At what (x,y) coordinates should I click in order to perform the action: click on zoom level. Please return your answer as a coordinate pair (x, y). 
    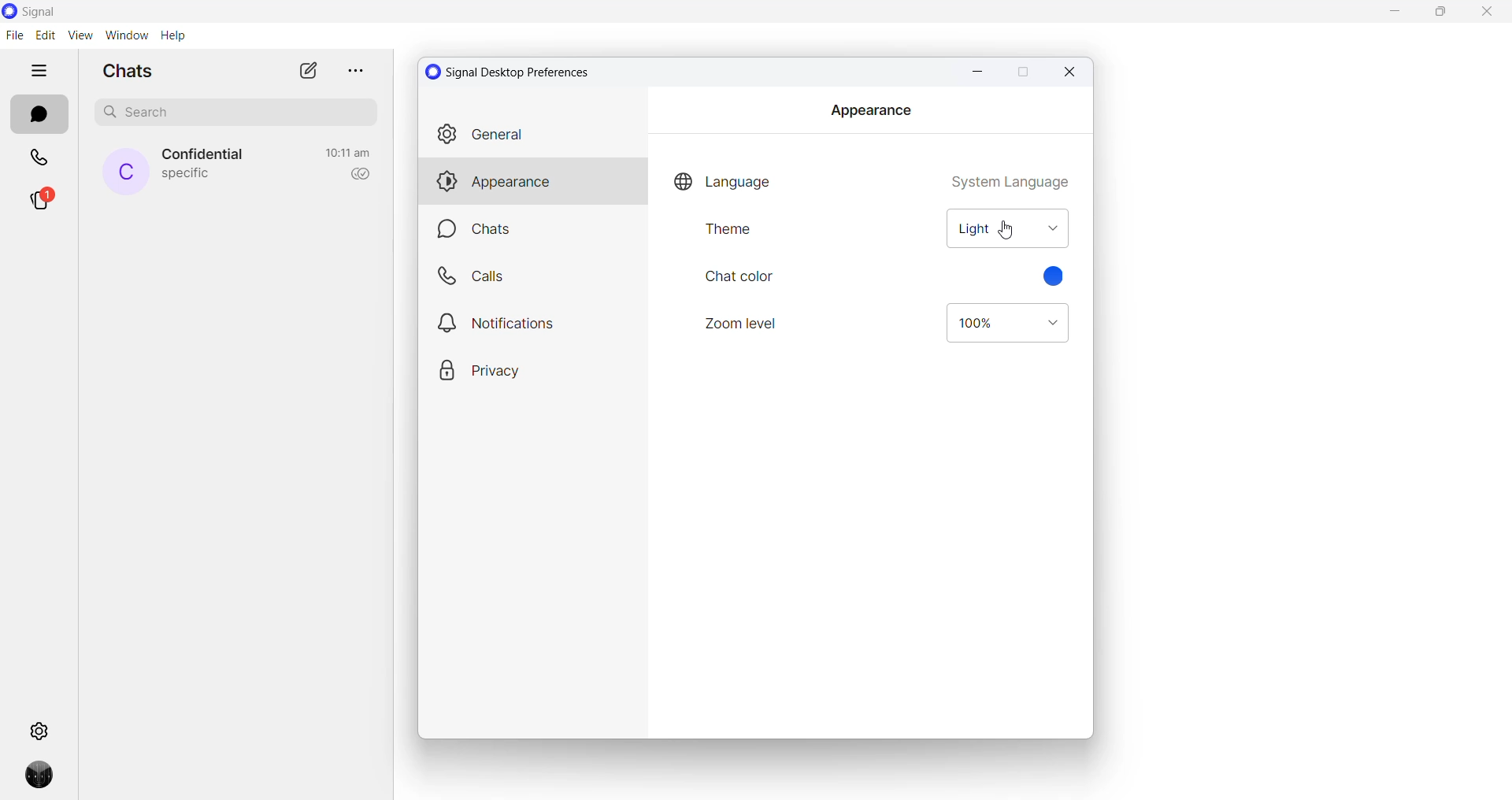
    Looking at the image, I should click on (1007, 324).